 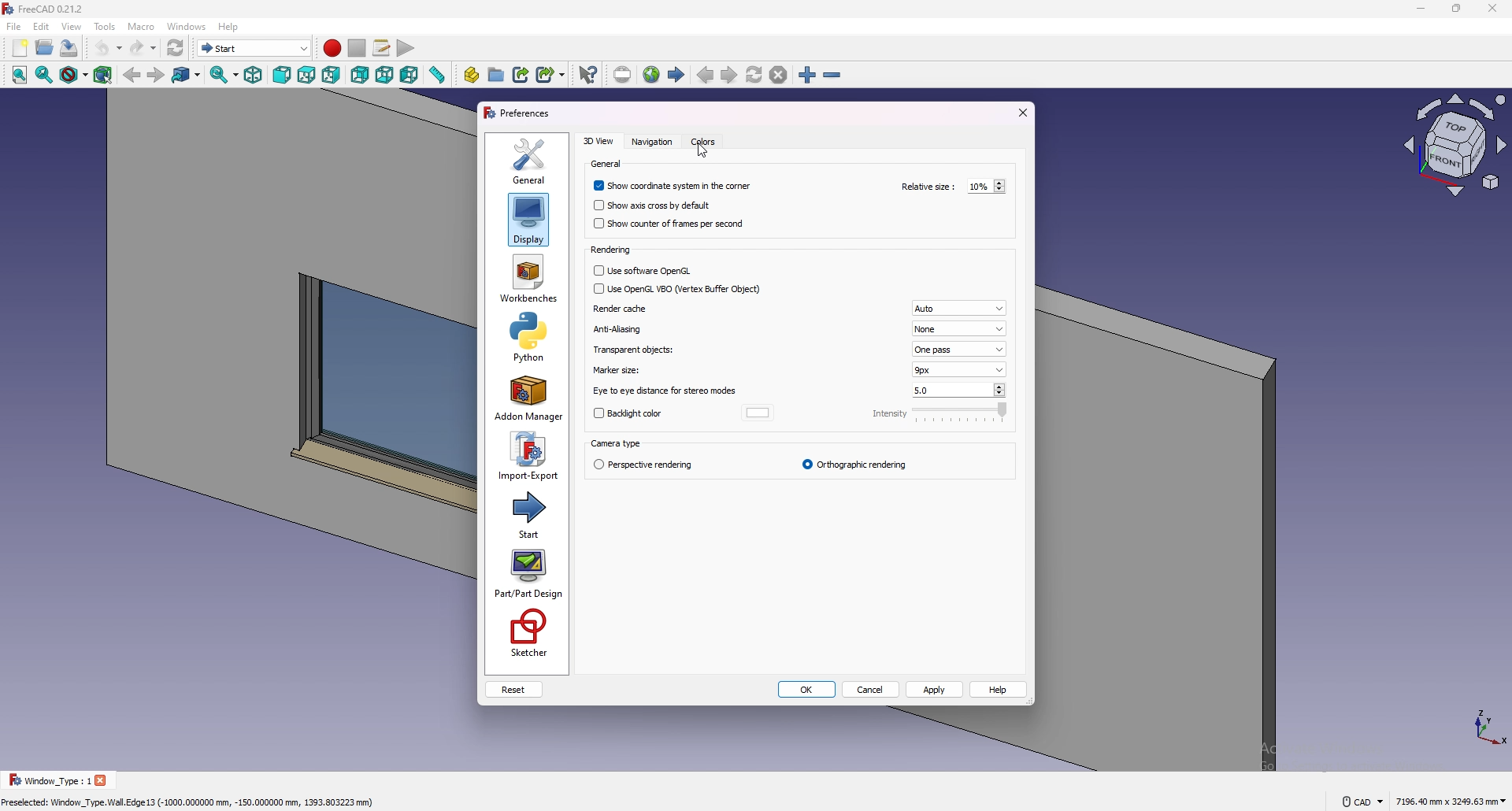 What do you see at coordinates (755, 75) in the screenshot?
I see `refresh web page` at bounding box center [755, 75].